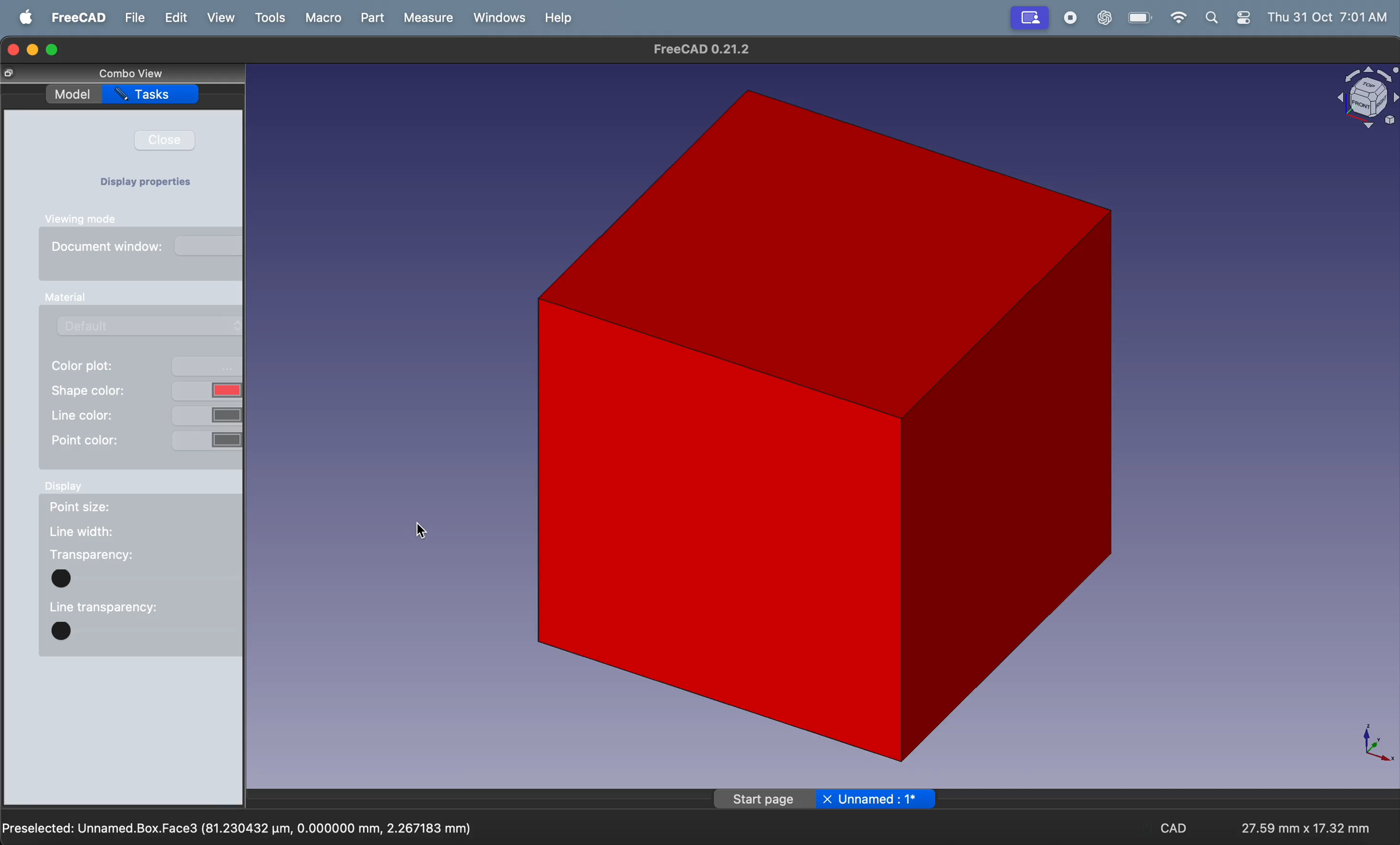 Image resolution: width=1400 pixels, height=845 pixels. Describe the element at coordinates (176, 19) in the screenshot. I see `edit` at that location.